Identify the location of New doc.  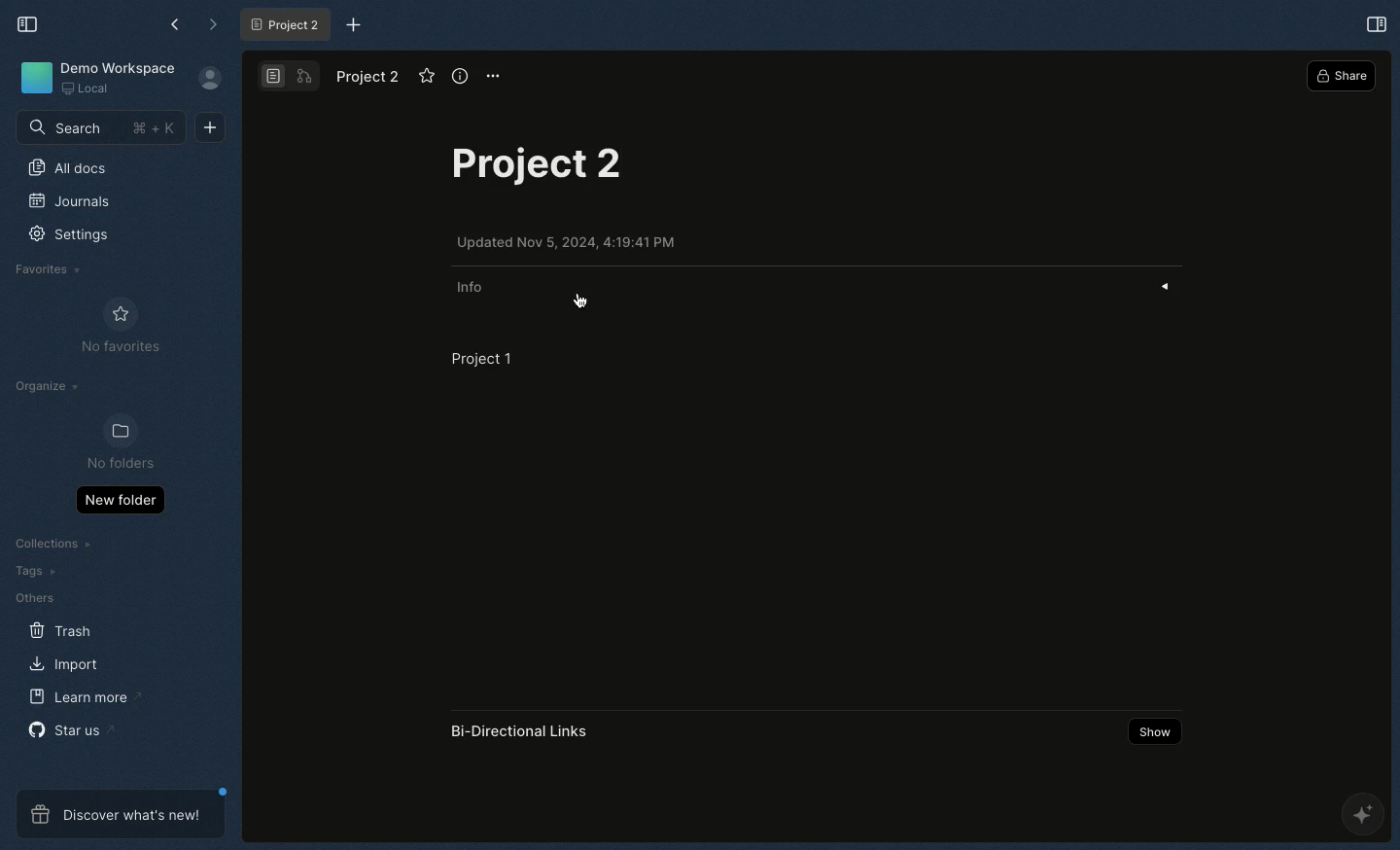
(217, 126).